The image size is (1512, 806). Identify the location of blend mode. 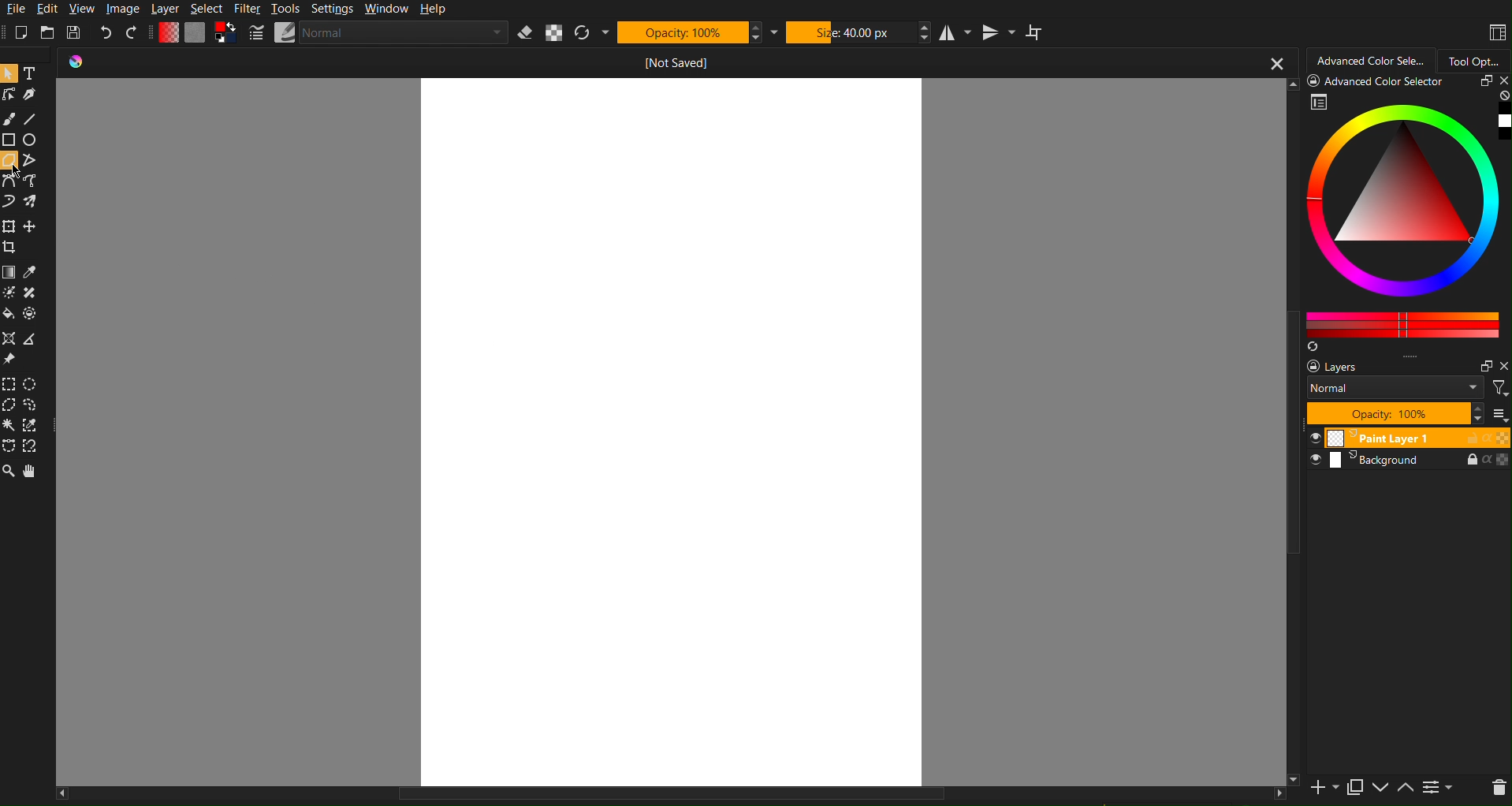
(1396, 388).